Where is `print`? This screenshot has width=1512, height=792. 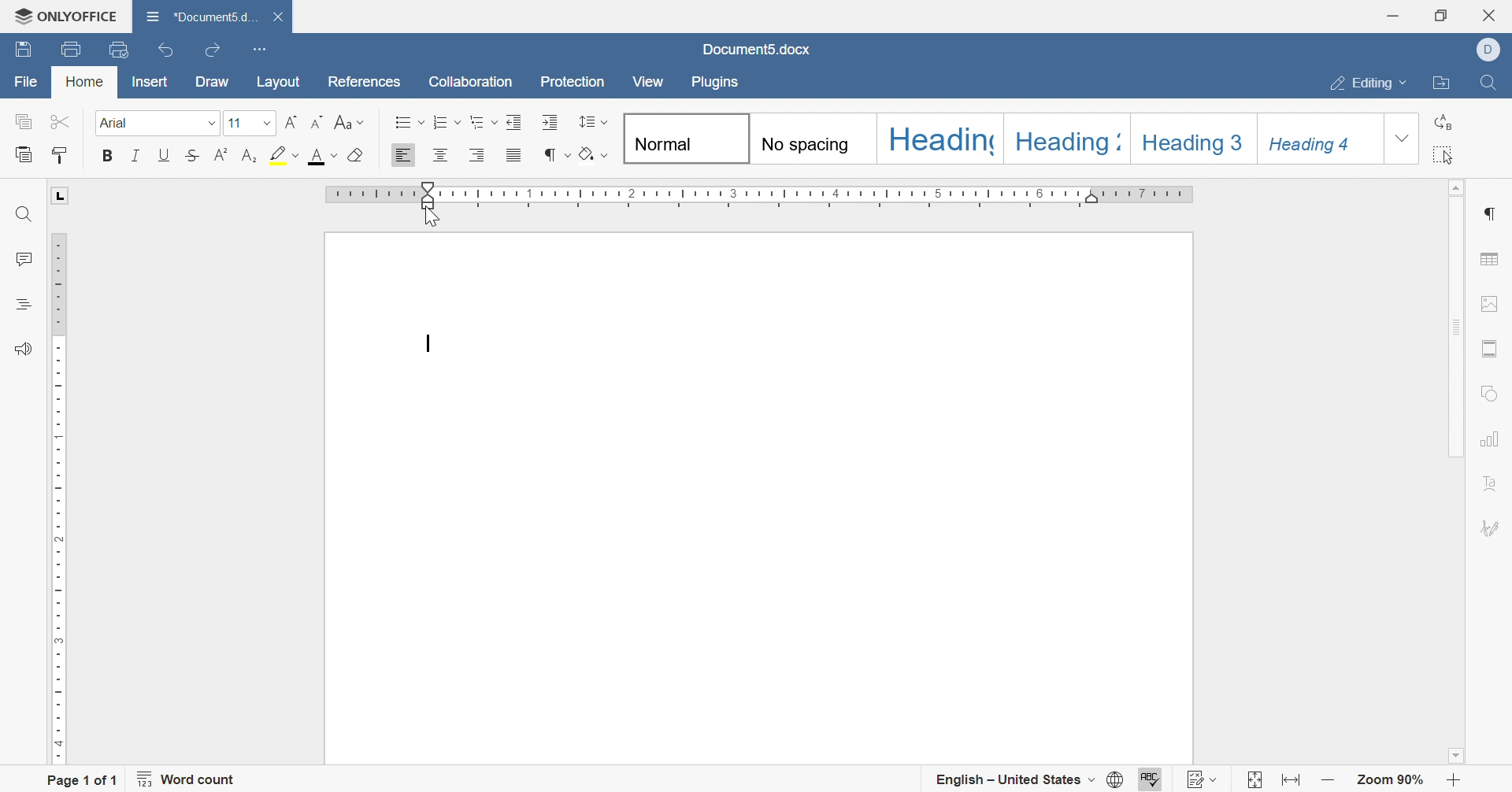
print is located at coordinates (74, 49).